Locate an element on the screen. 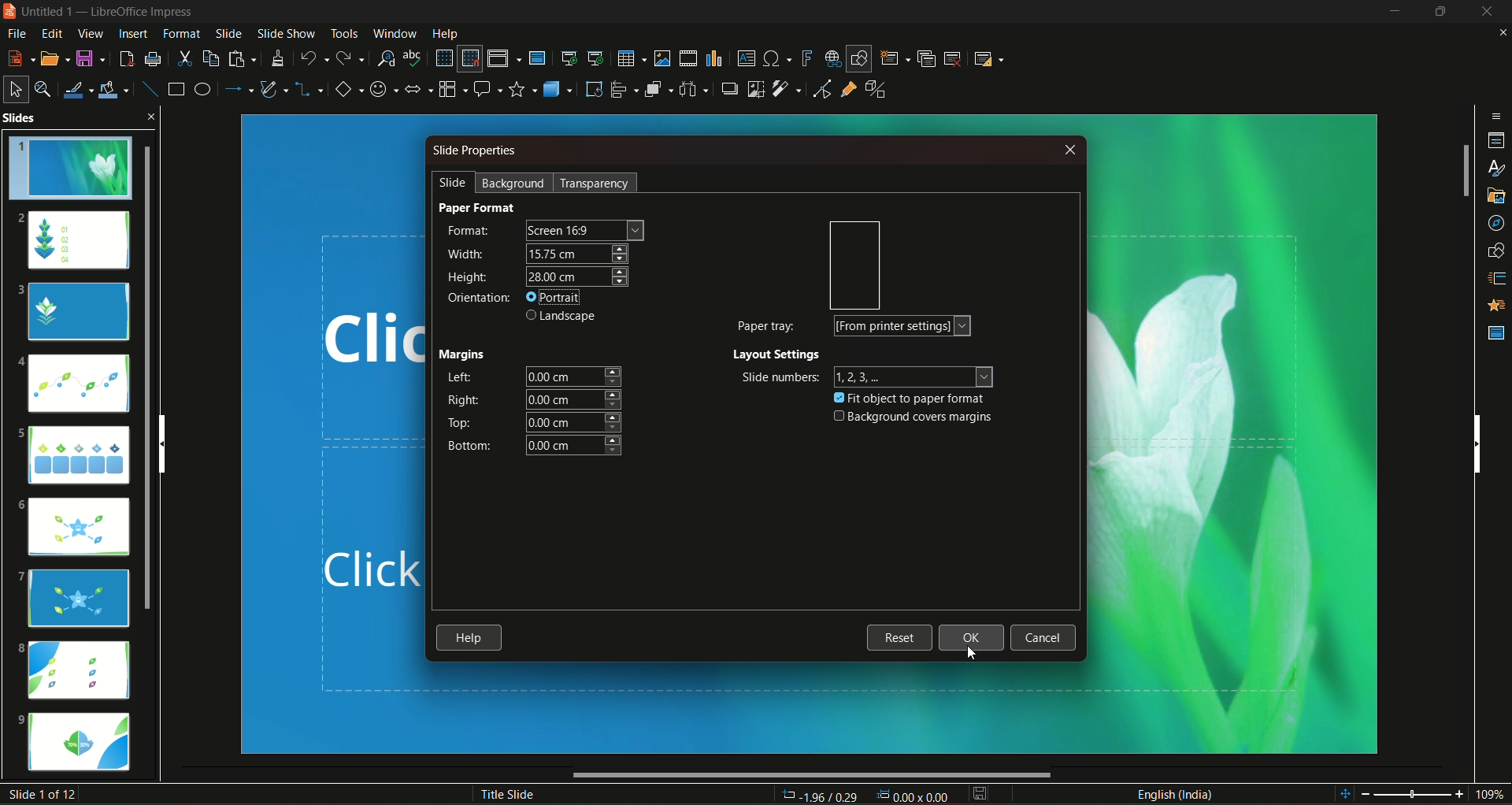 The width and height of the screenshot is (1512, 805). horizontal scroll bar is located at coordinates (813, 776).